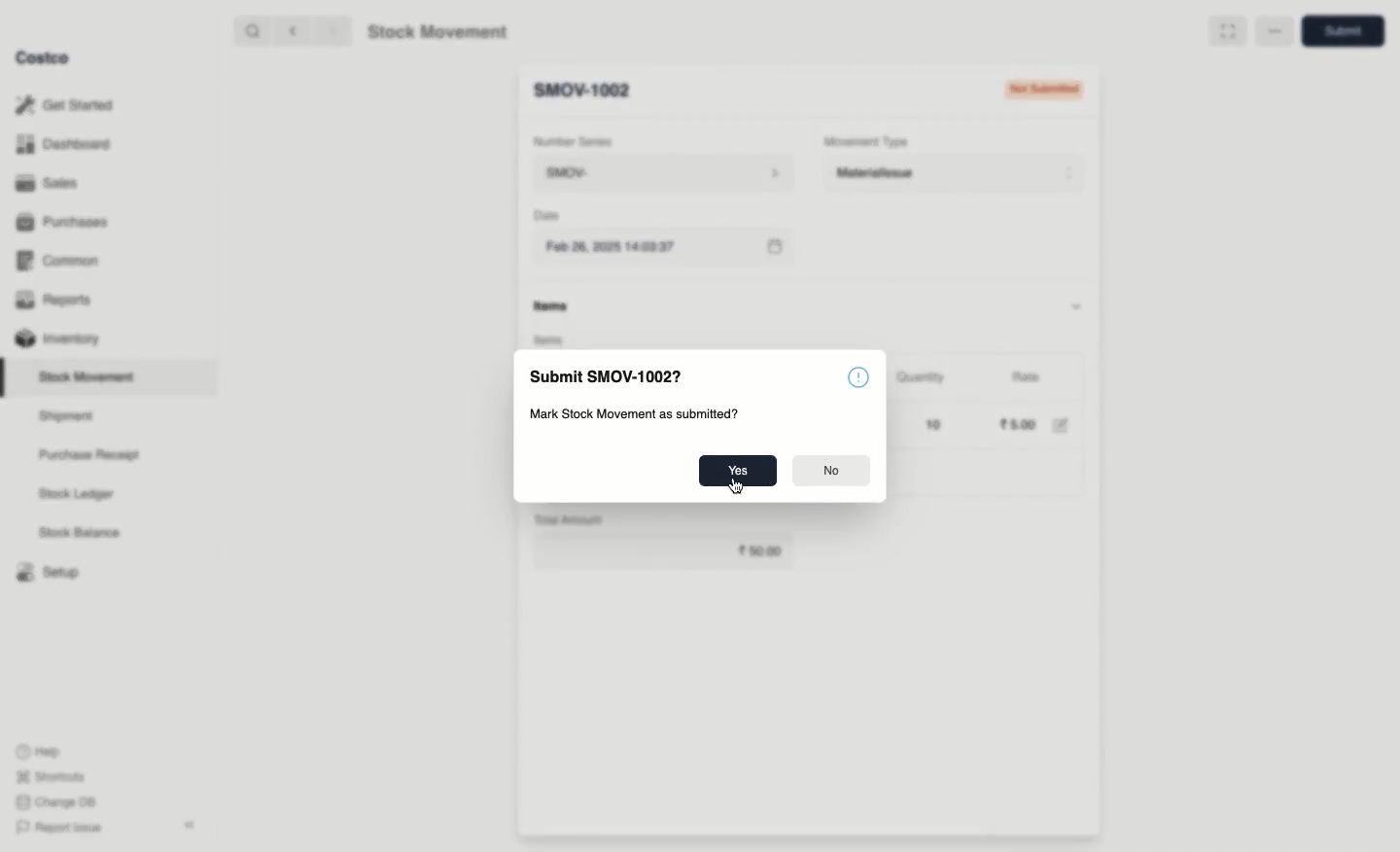 The width and height of the screenshot is (1400, 852). What do you see at coordinates (858, 376) in the screenshot?
I see `emblem` at bounding box center [858, 376].